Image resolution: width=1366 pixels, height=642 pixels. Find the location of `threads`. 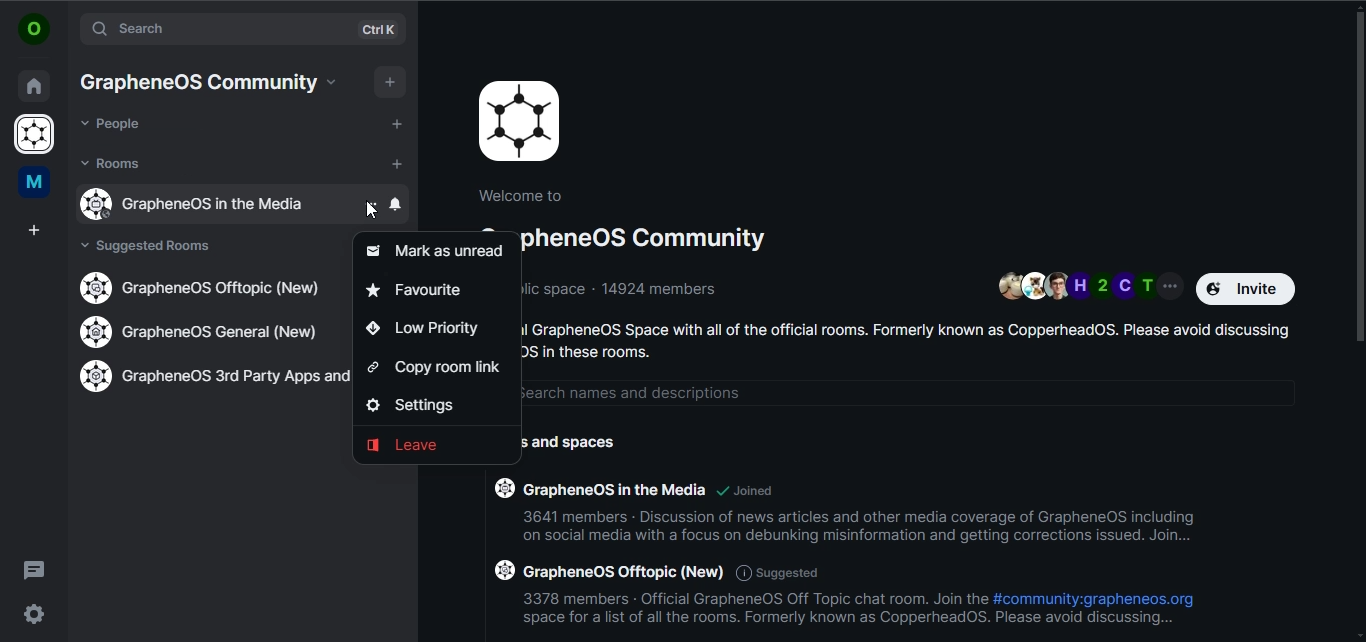

threads is located at coordinates (34, 569).